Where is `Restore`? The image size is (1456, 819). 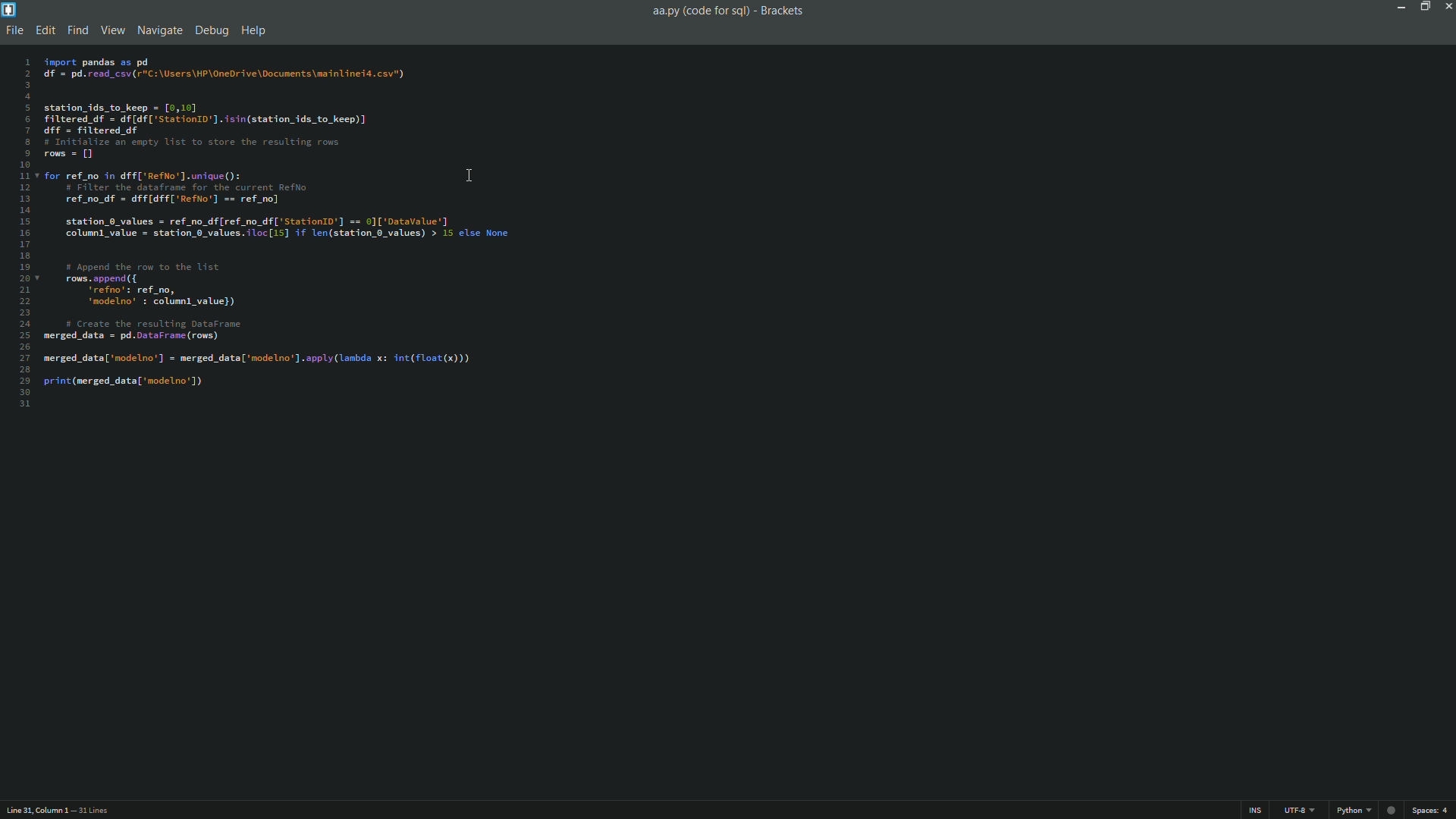
Restore is located at coordinates (1426, 6).